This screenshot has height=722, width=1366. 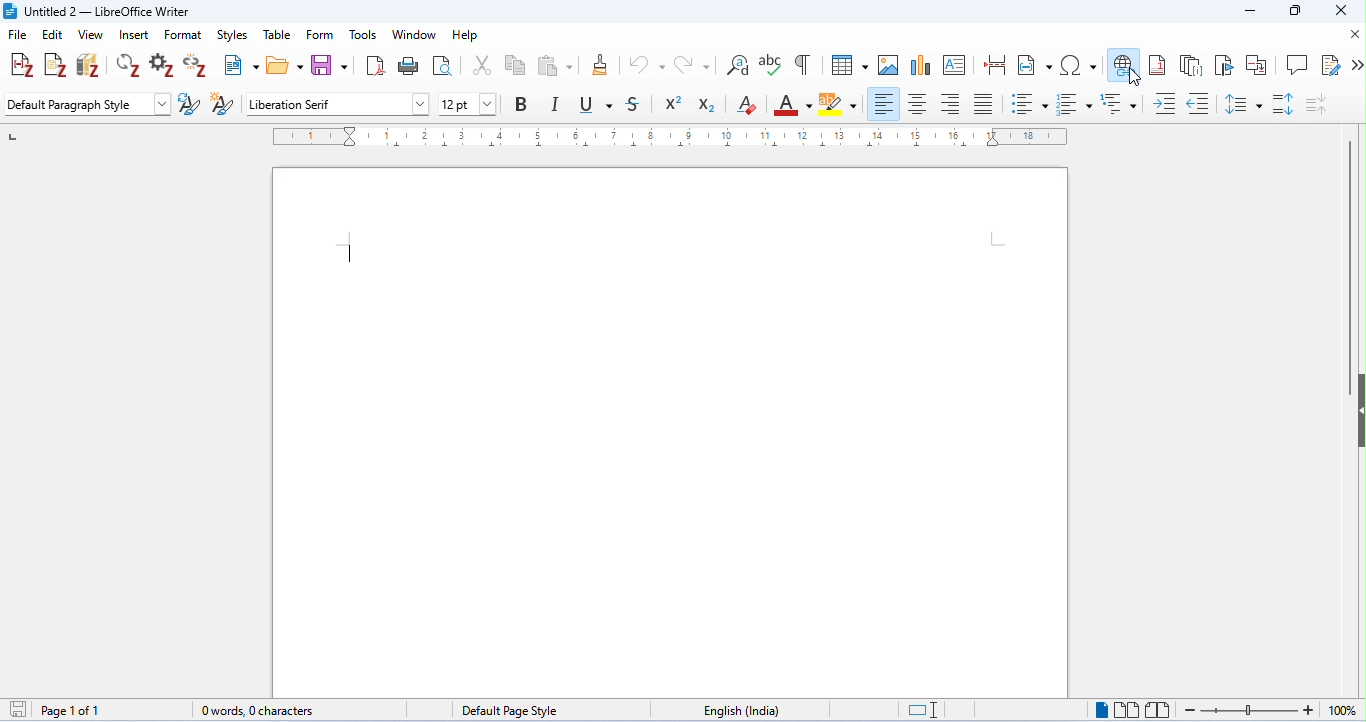 What do you see at coordinates (482, 64) in the screenshot?
I see `cut` at bounding box center [482, 64].